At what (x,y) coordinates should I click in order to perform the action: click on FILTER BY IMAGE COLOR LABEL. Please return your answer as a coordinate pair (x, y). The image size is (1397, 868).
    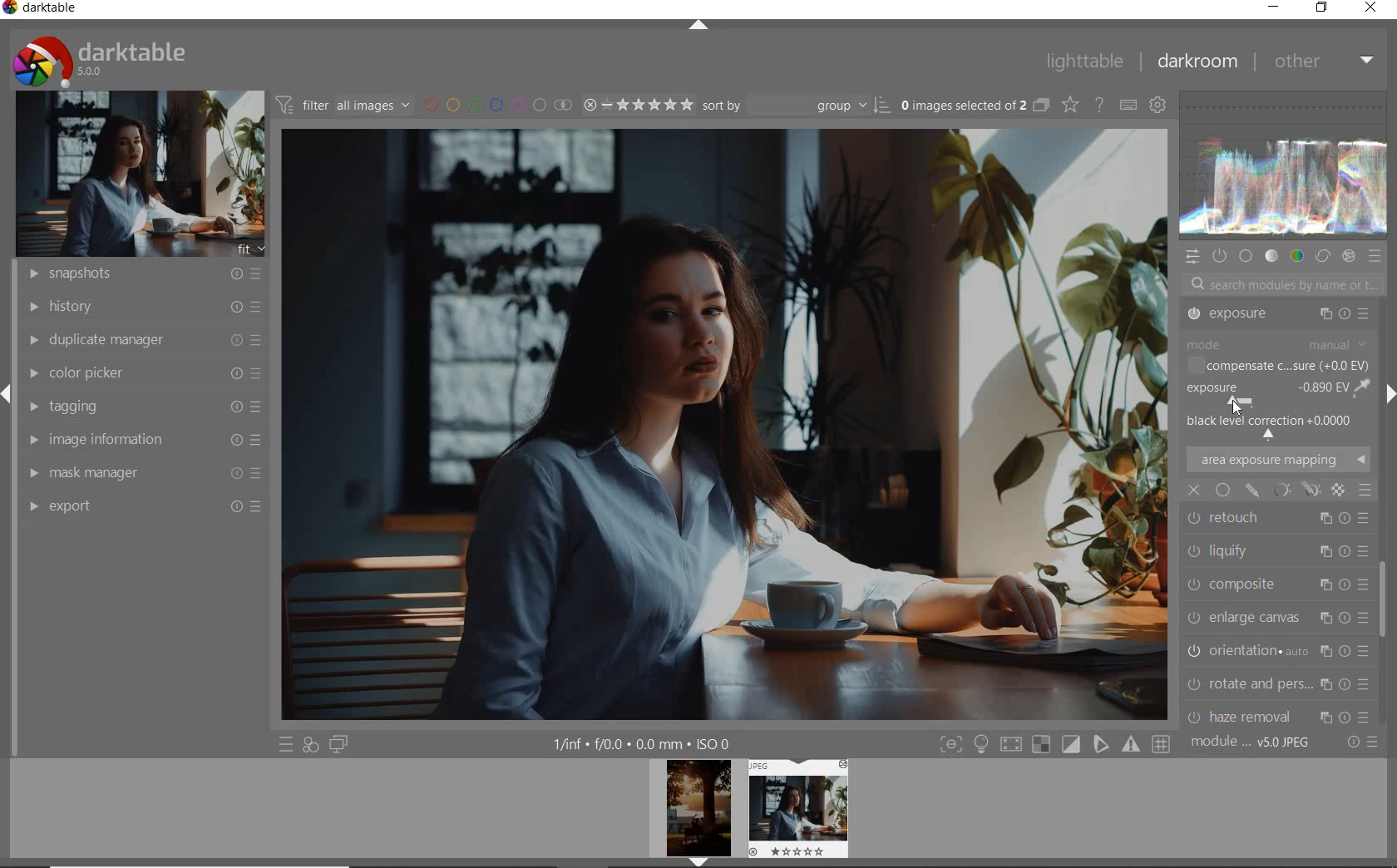
    Looking at the image, I should click on (496, 106).